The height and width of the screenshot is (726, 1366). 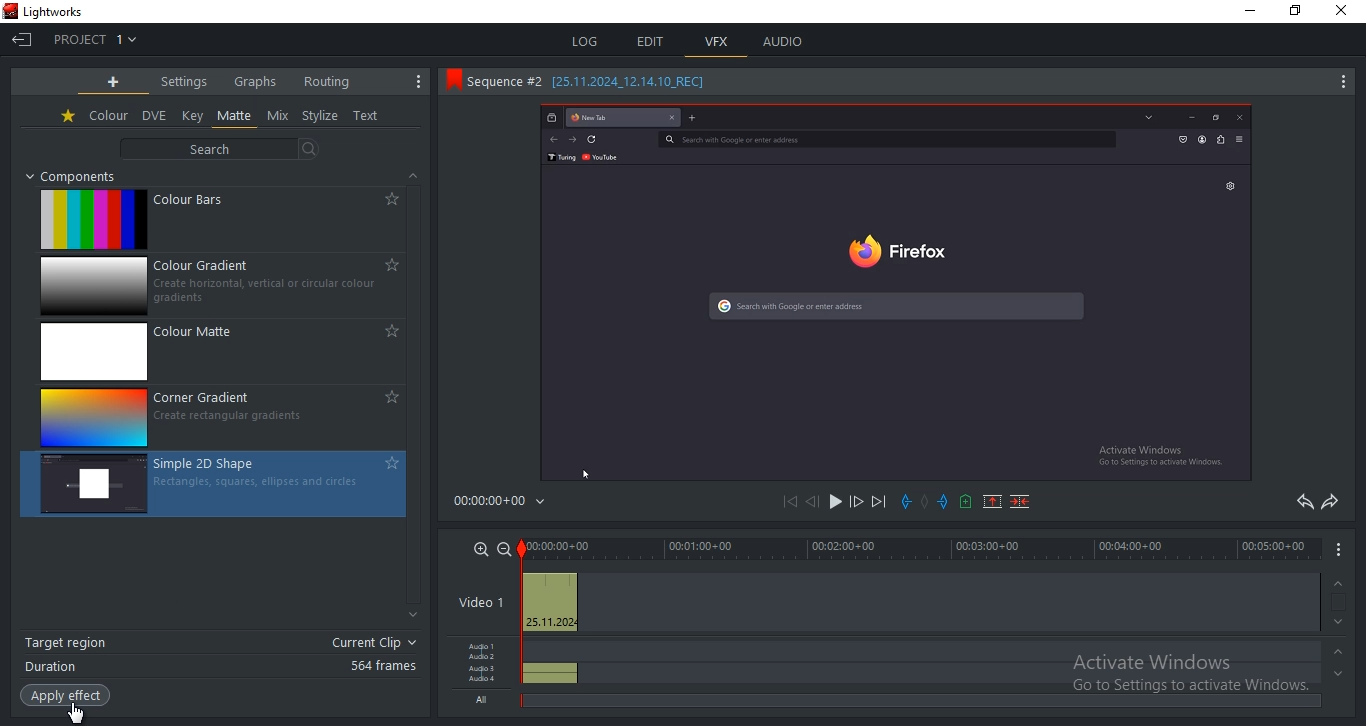 What do you see at coordinates (990, 500) in the screenshot?
I see `remove a marked section` at bounding box center [990, 500].